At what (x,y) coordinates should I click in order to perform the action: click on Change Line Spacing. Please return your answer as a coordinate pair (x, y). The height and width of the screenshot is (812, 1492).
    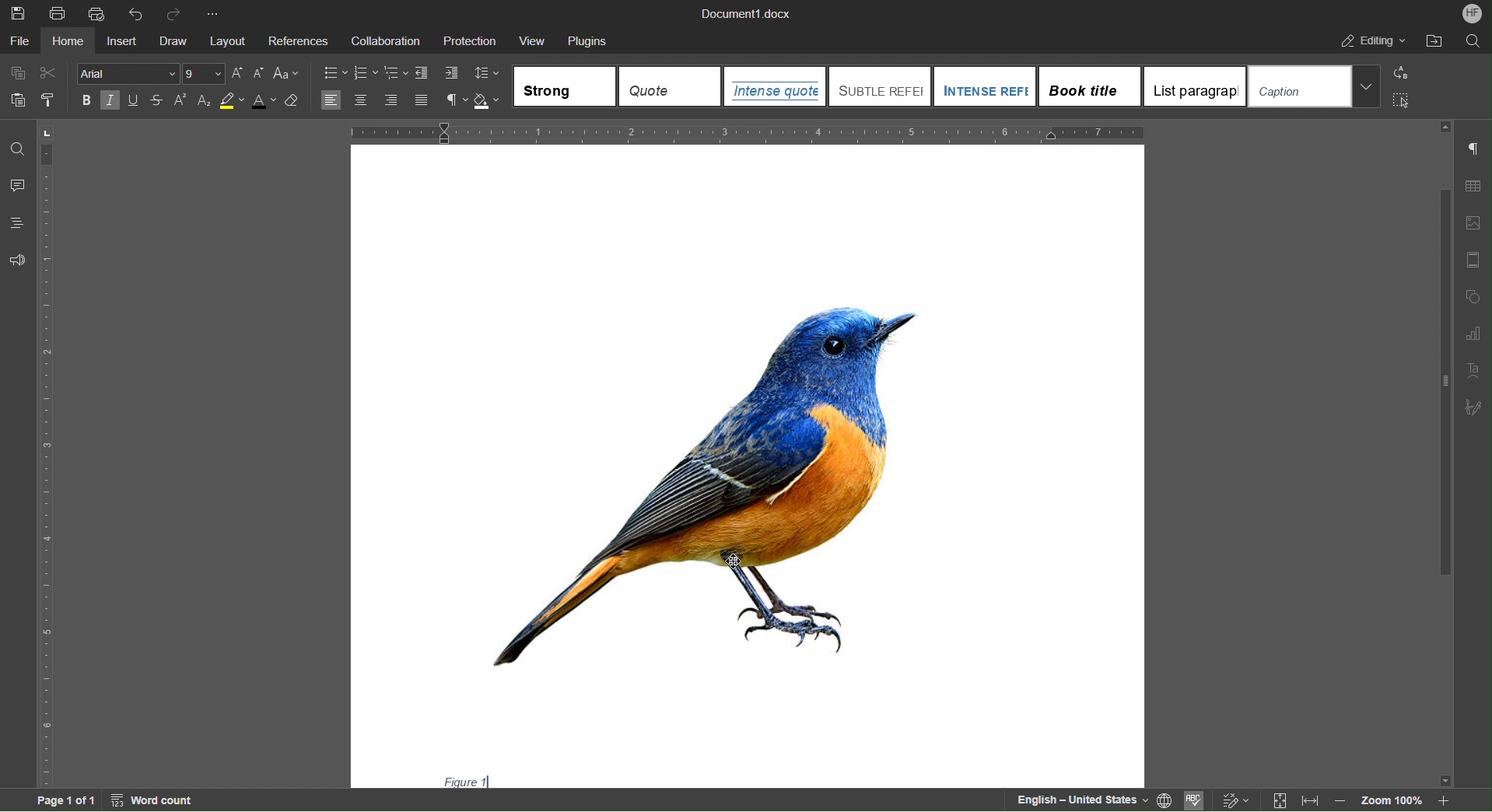
    Looking at the image, I should click on (487, 73).